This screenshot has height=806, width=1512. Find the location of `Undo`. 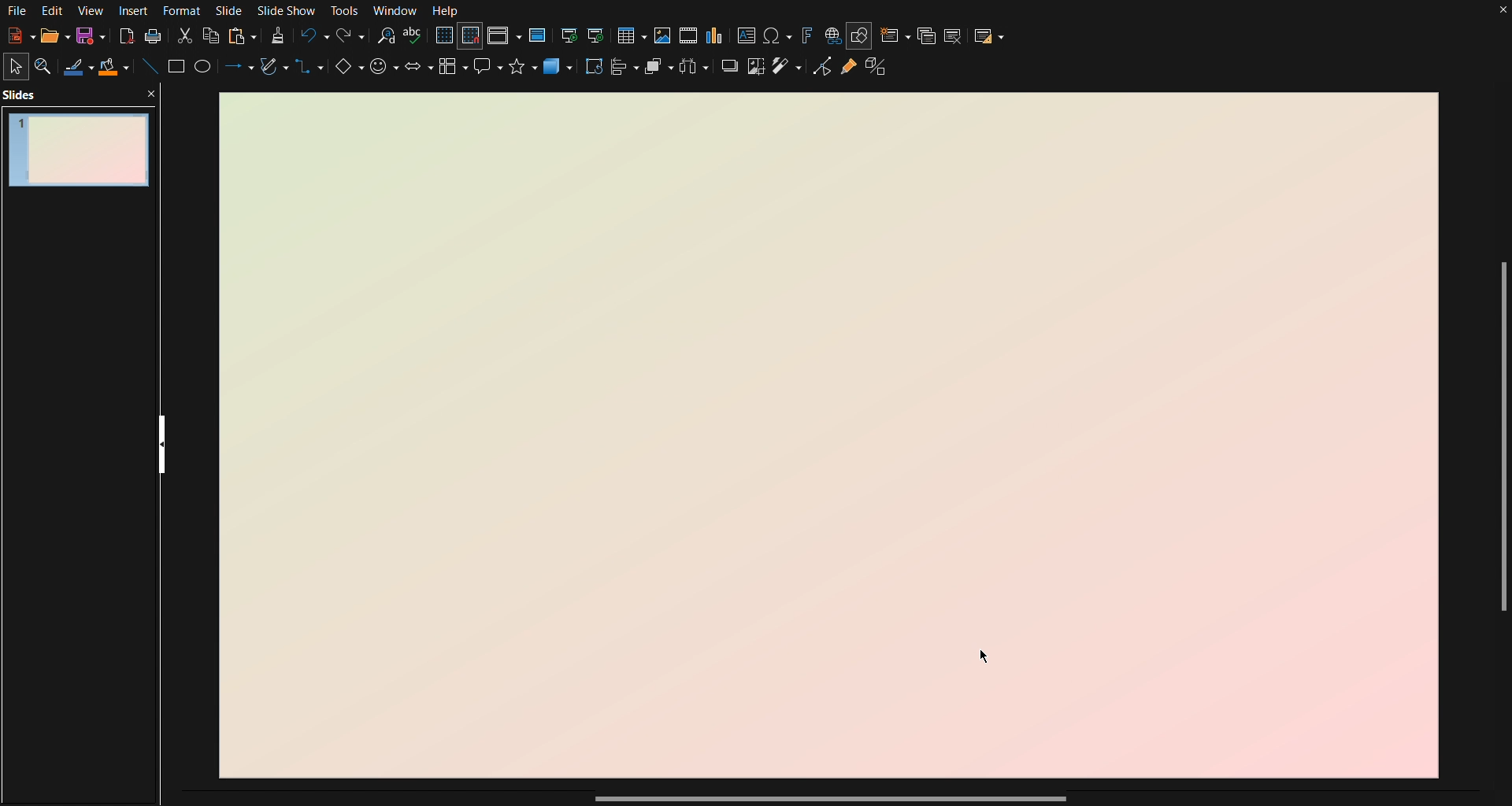

Undo is located at coordinates (313, 36).